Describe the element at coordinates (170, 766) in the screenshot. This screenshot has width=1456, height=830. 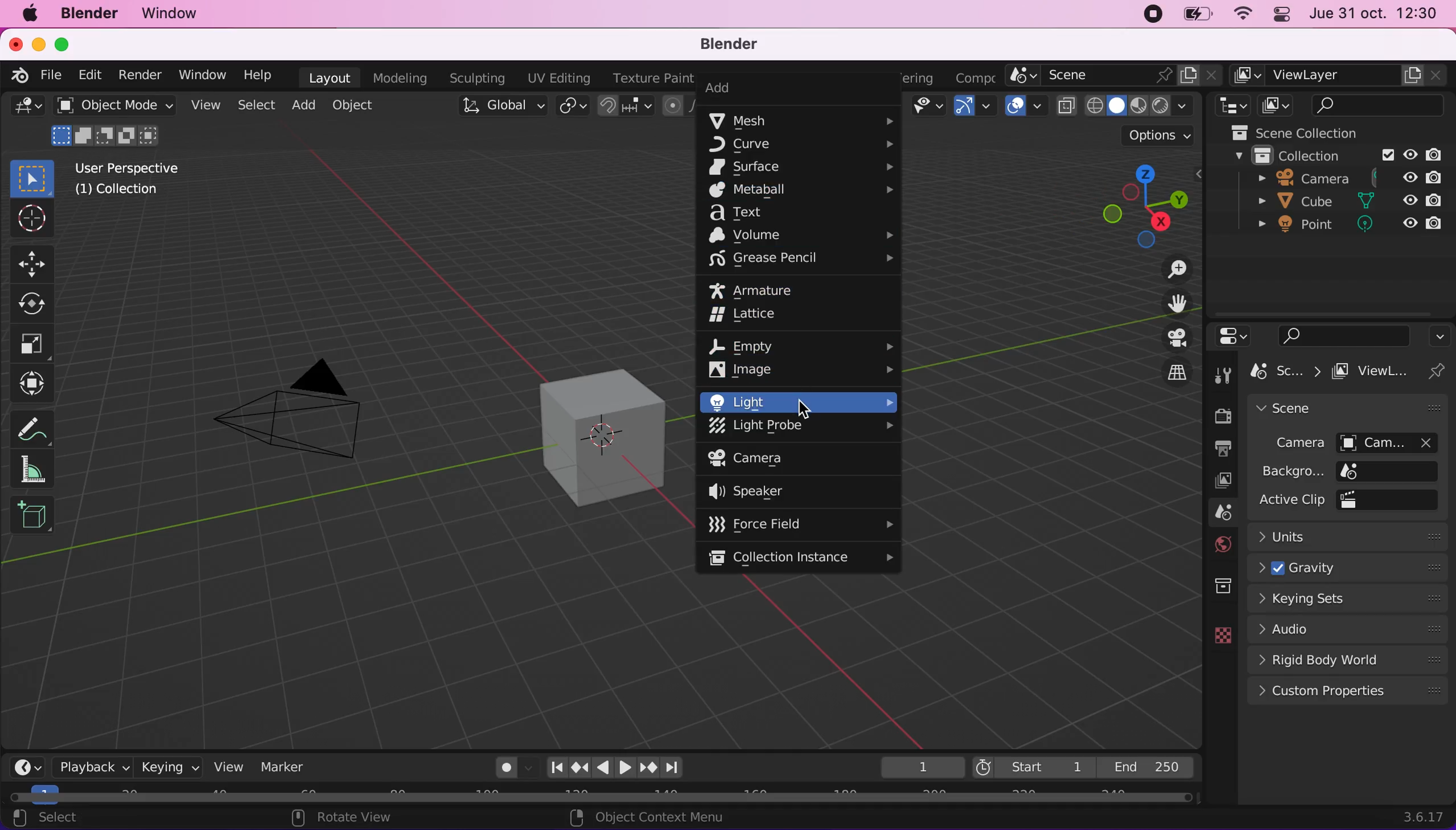
I see `keying` at that location.